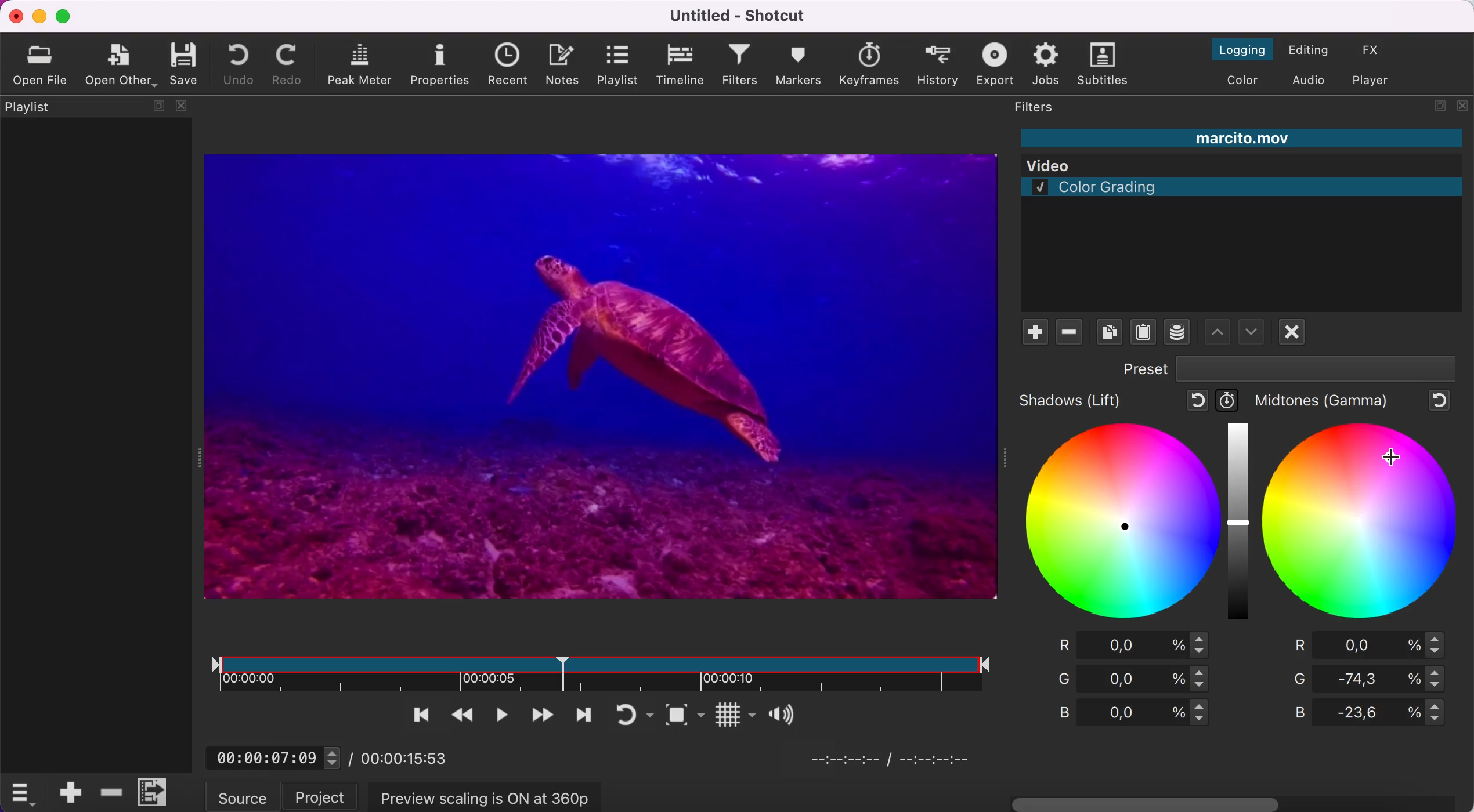 This screenshot has height=812, width=1474. What do you see at coordinates (15, 16) in the screenshot?
I see `close` at bounding box center [15, 16].